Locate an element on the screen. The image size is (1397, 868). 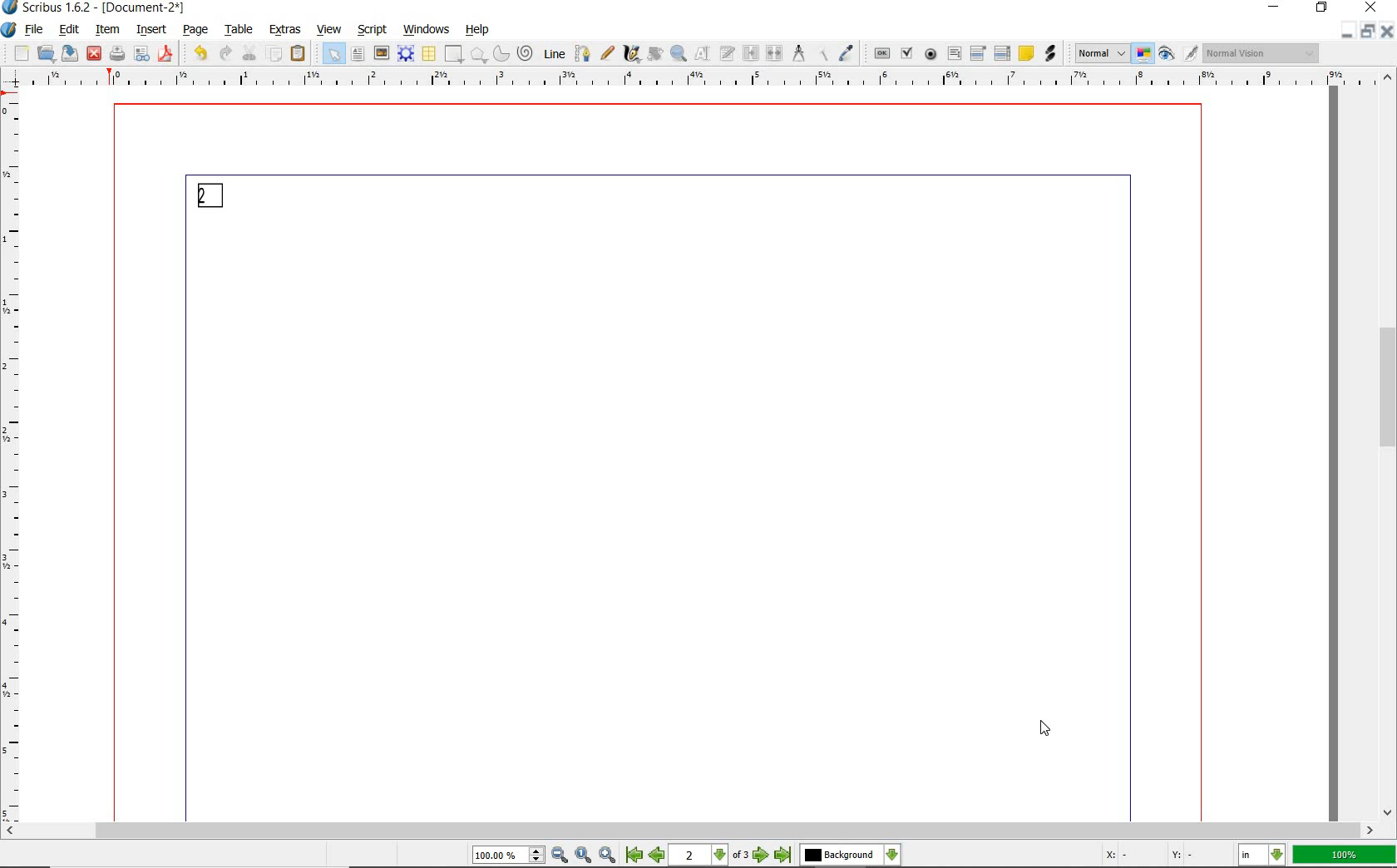
Close is located at coordinates (1389, 34).